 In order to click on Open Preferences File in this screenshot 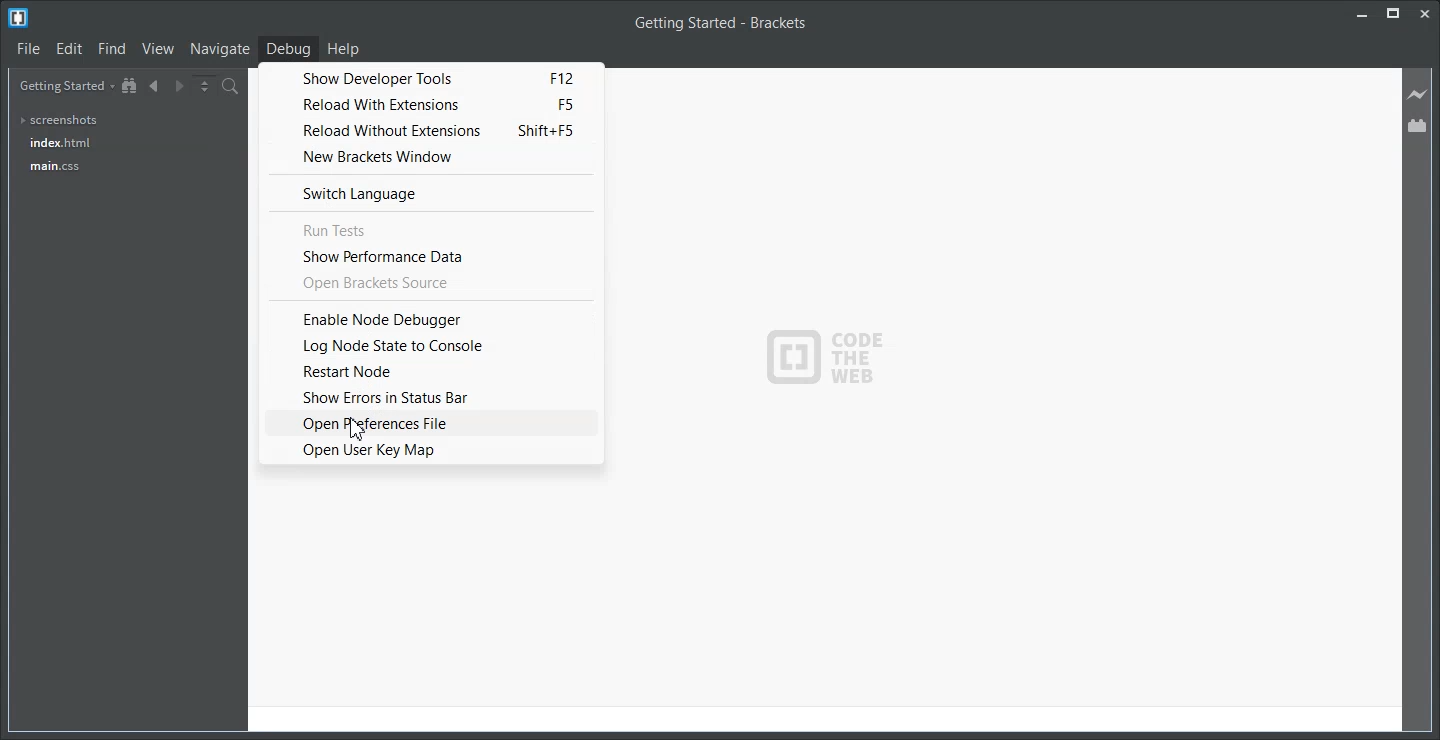, I will do `click(430, 422)`.